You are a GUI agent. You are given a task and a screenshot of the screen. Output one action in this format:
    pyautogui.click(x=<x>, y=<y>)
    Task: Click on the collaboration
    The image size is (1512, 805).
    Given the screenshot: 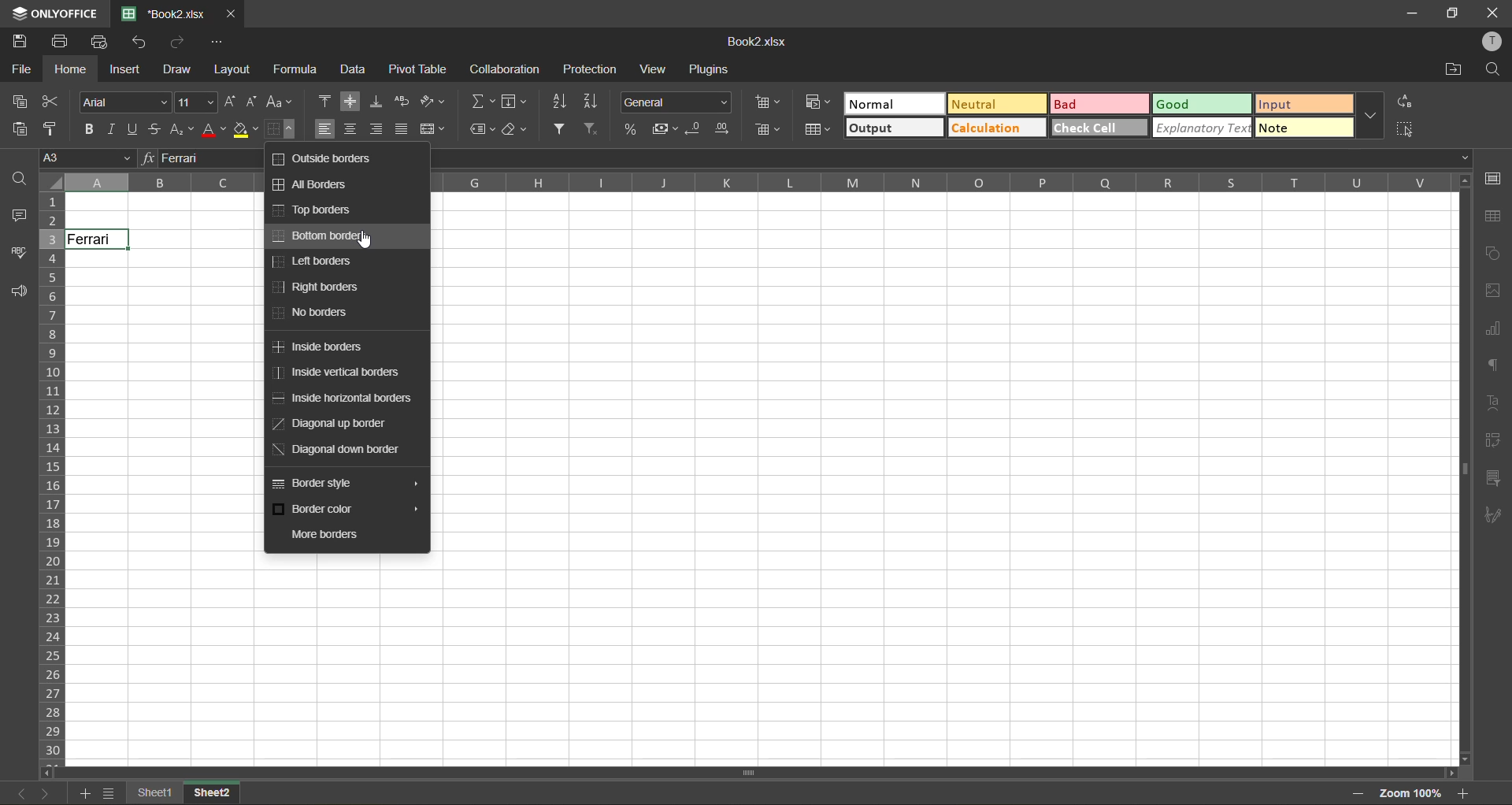 What is the action you would take?
    pyautogui.click(x=506, y=69)
    